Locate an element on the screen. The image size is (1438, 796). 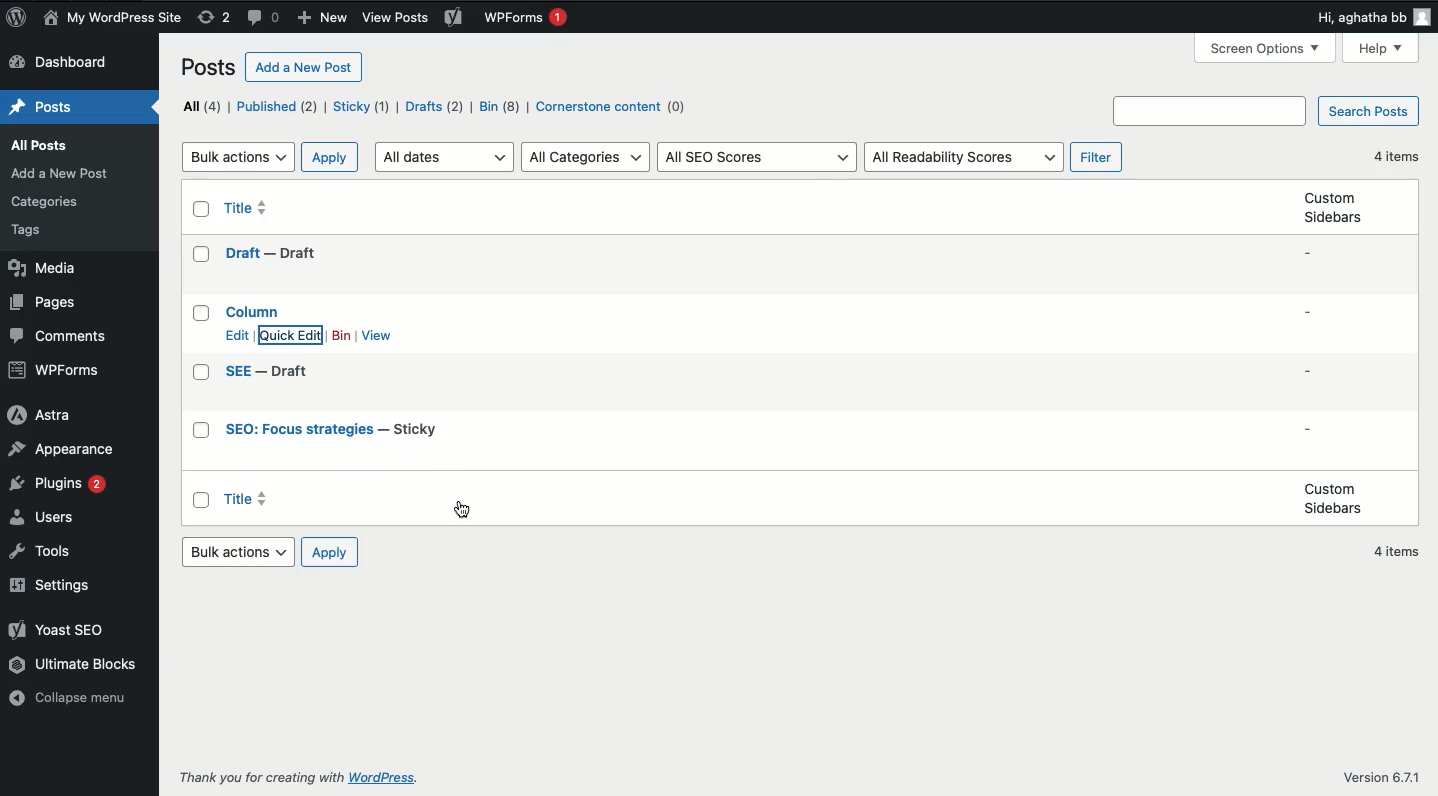
checkbox is located at coordinates (201, 312).